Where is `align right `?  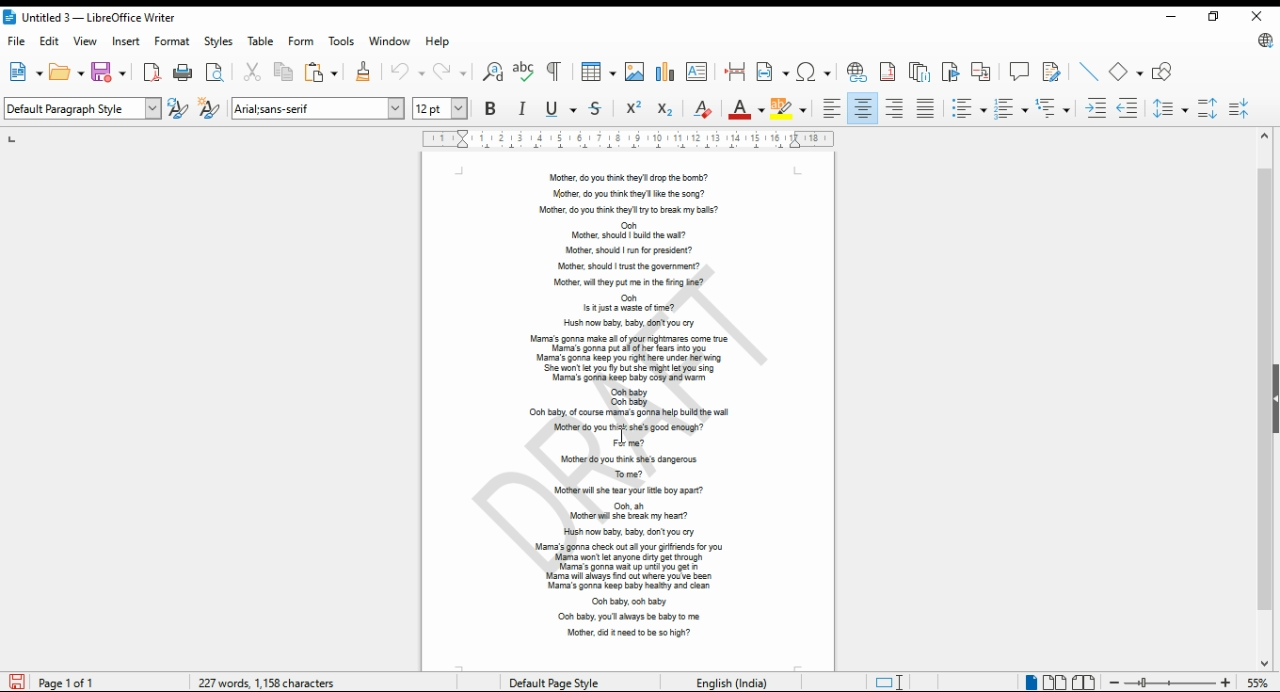
align right  is located at coordinates (897, 108).